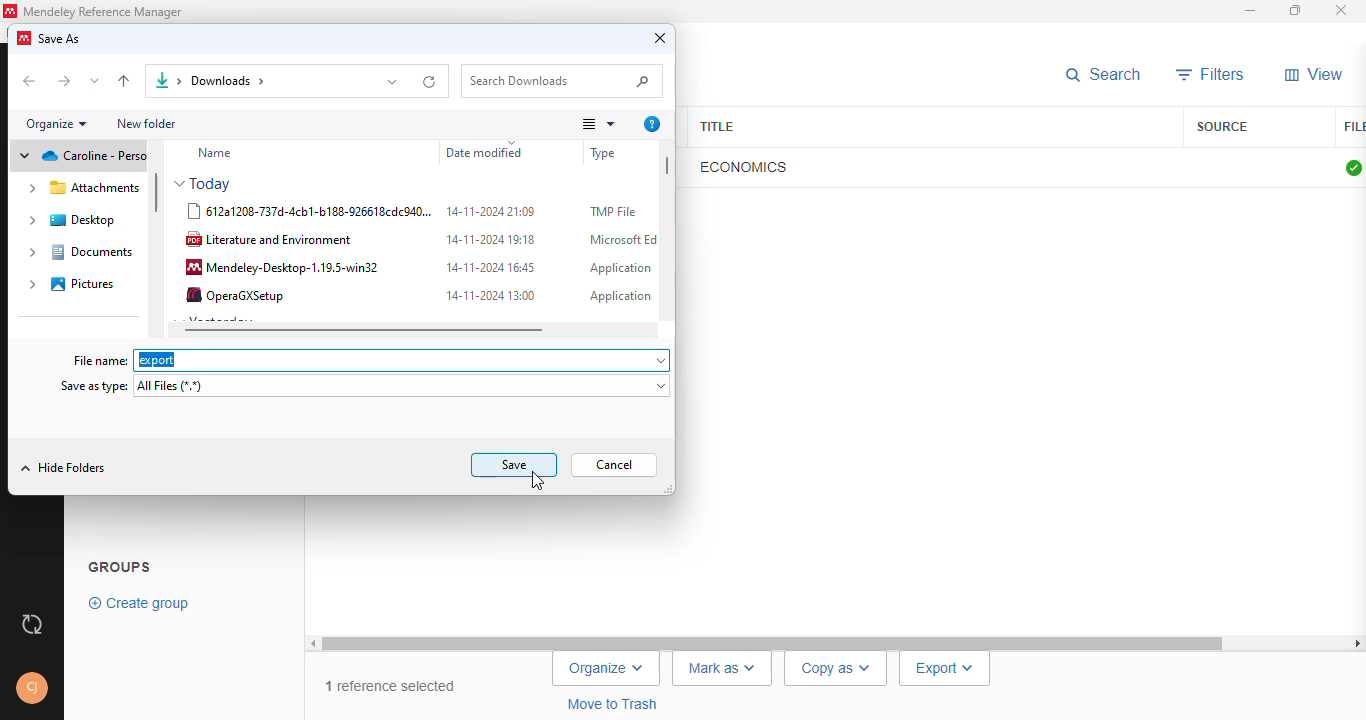 The height and width of the screenshot is (720, 1366). I want to click on 14-11-2024 16:45, so click(490, 267).